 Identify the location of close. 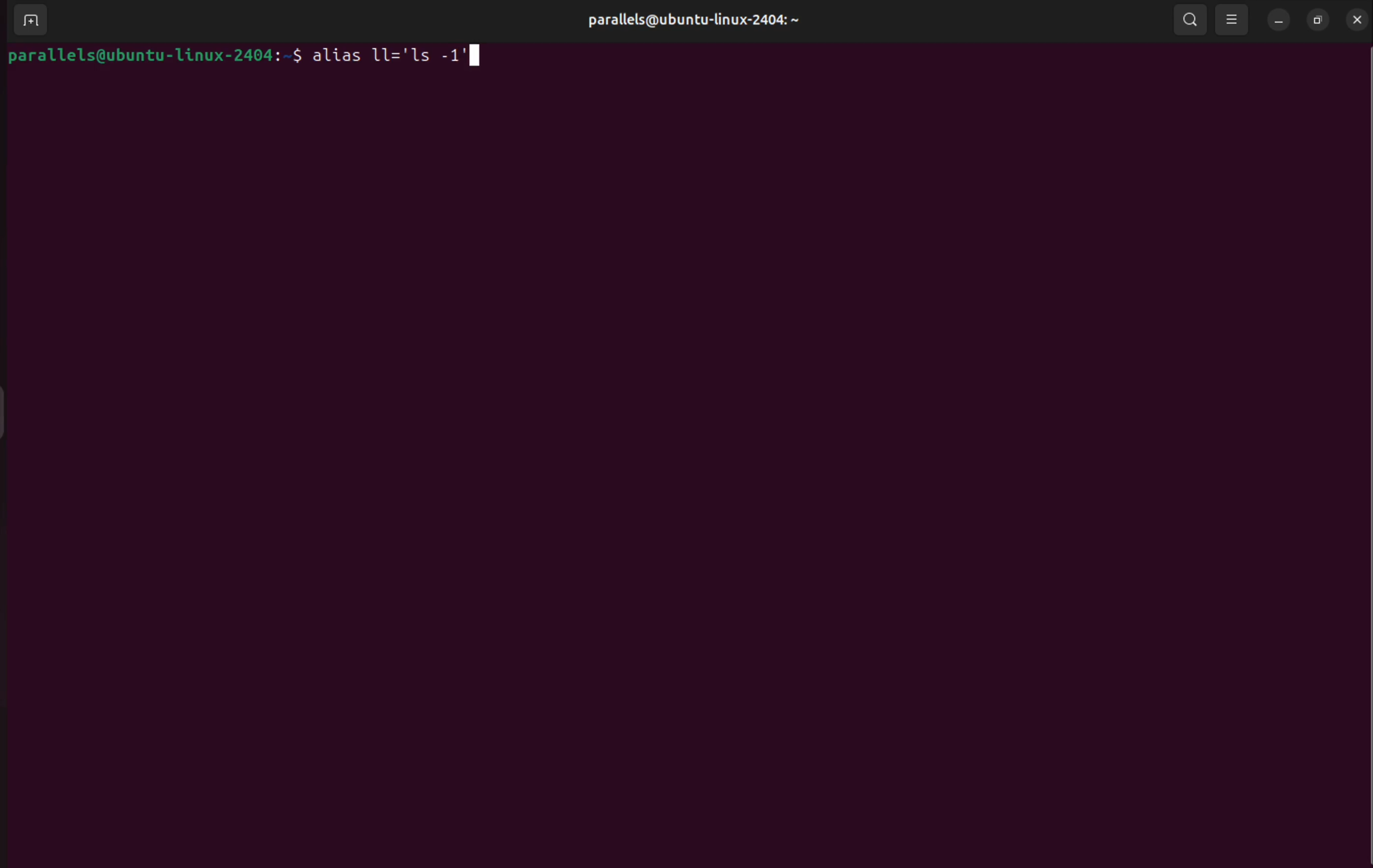
(1354, 19).